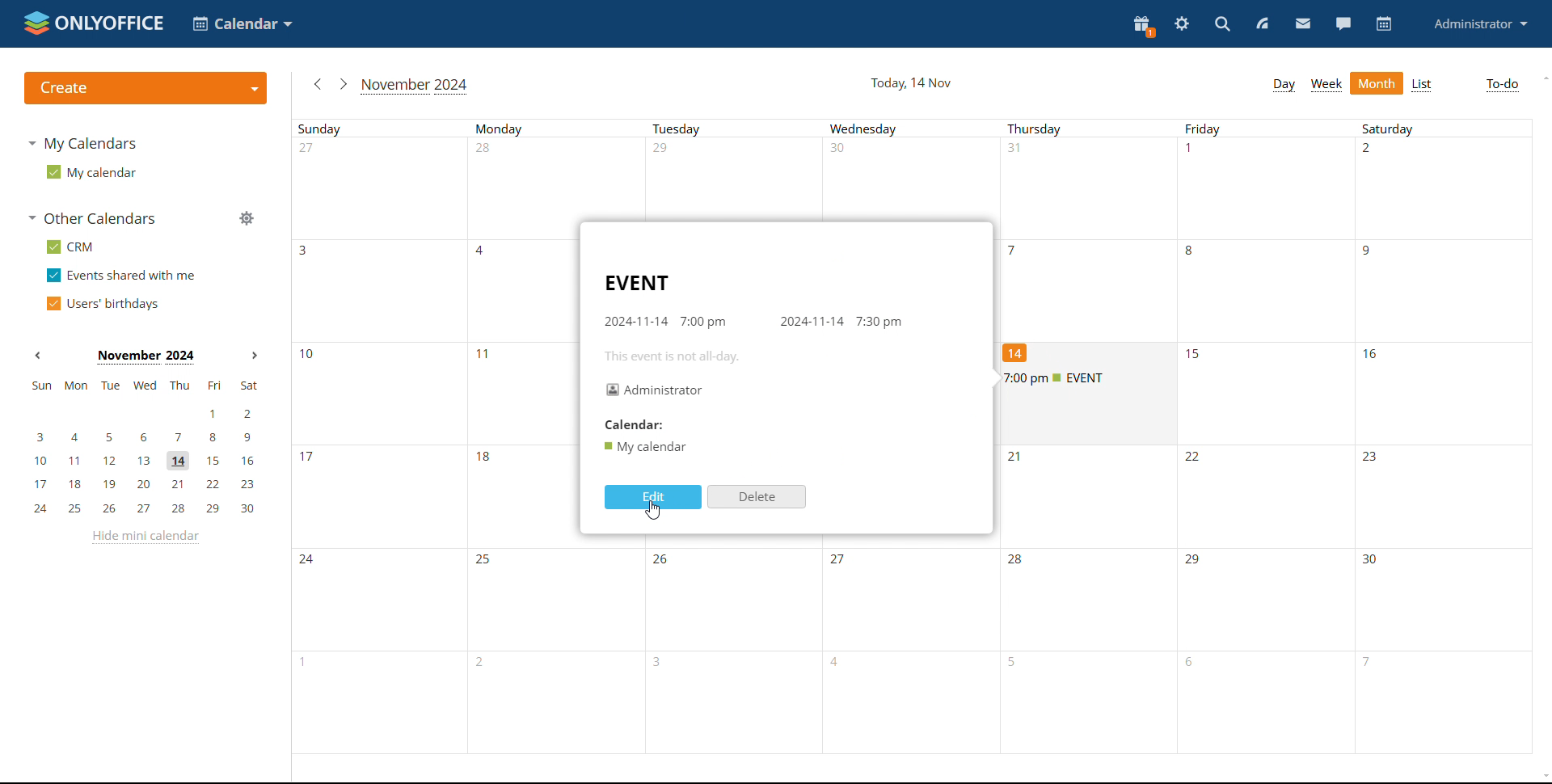 Image resolution: width=1552 pixels, height=784 pixels. I want to click on current month, so click(145, 358).